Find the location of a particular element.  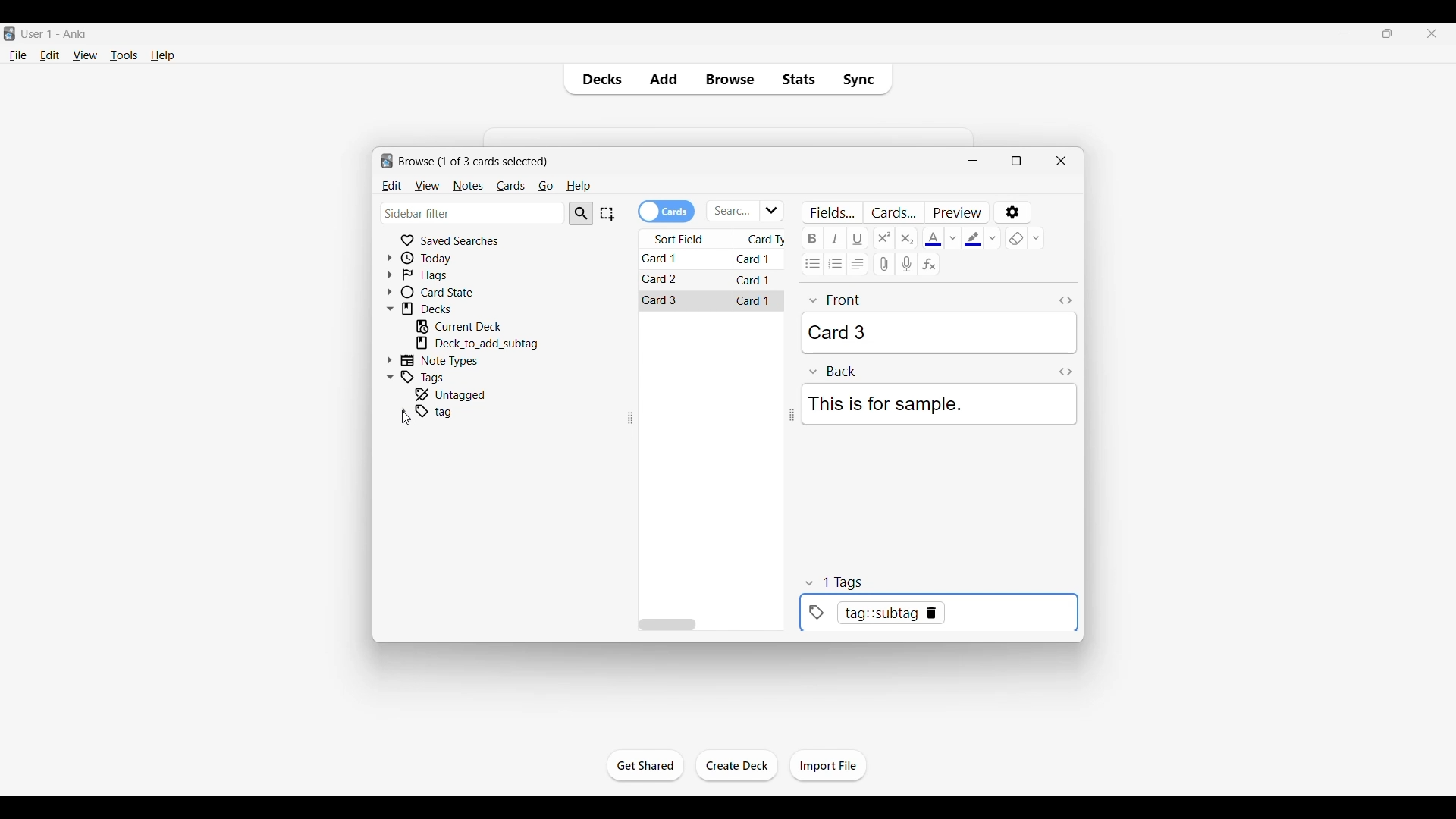

Italic text is located at coordinates (835, 238).